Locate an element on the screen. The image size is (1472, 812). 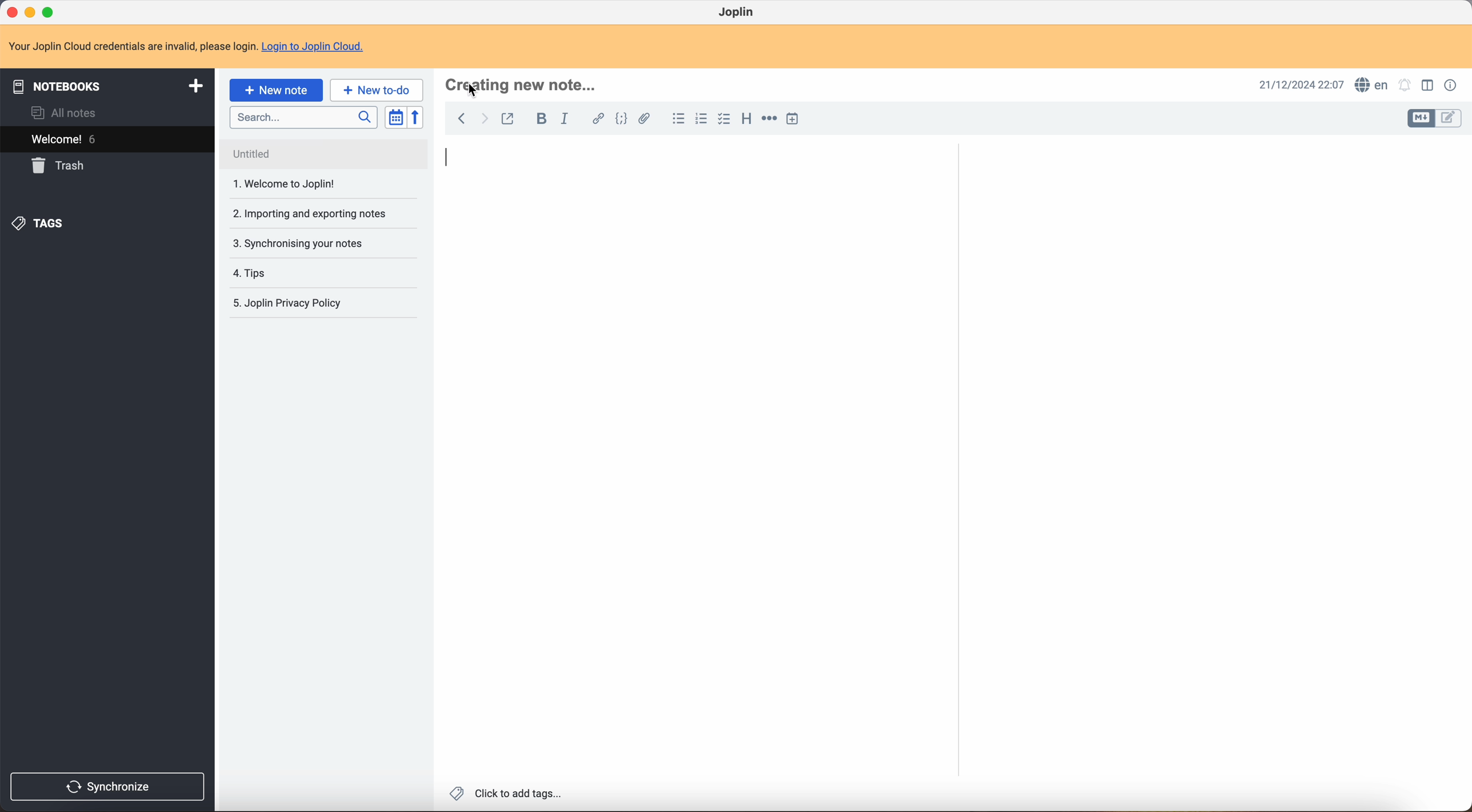
click to add tags is located at coordinates (504, 795).